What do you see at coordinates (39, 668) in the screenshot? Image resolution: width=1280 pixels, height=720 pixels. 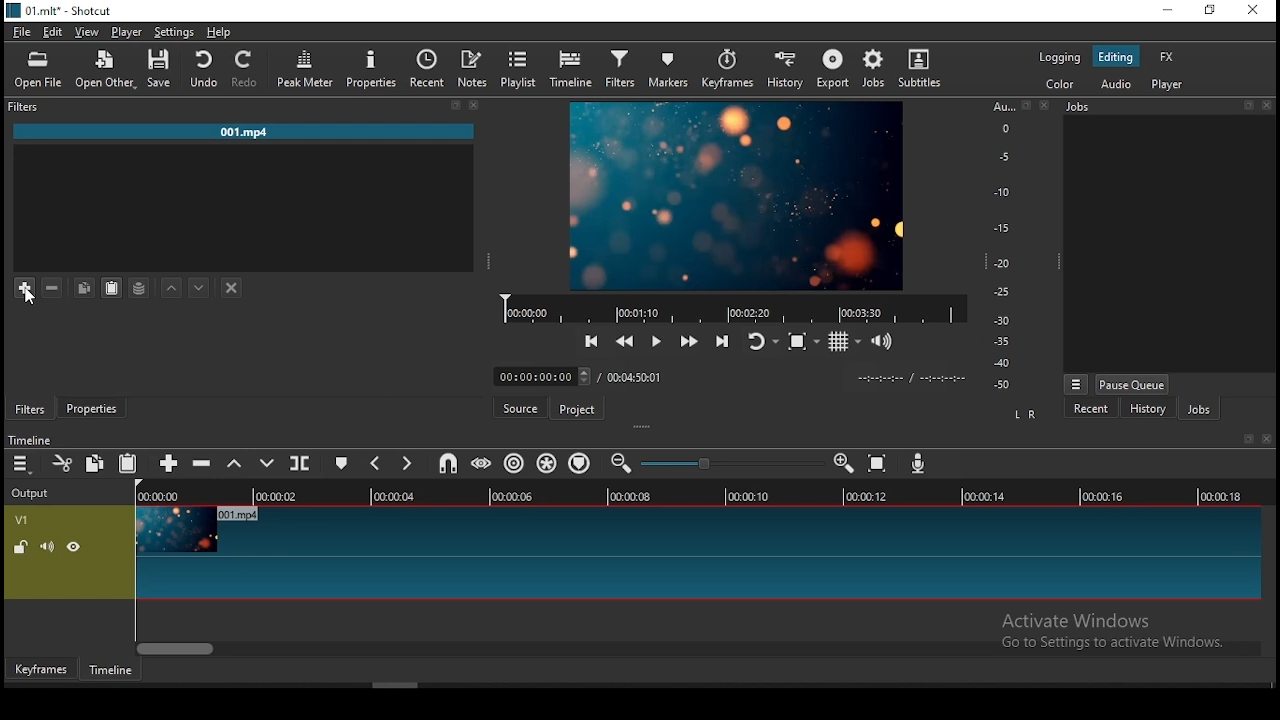 I see `keyframes` at bounding box center [39, 668].